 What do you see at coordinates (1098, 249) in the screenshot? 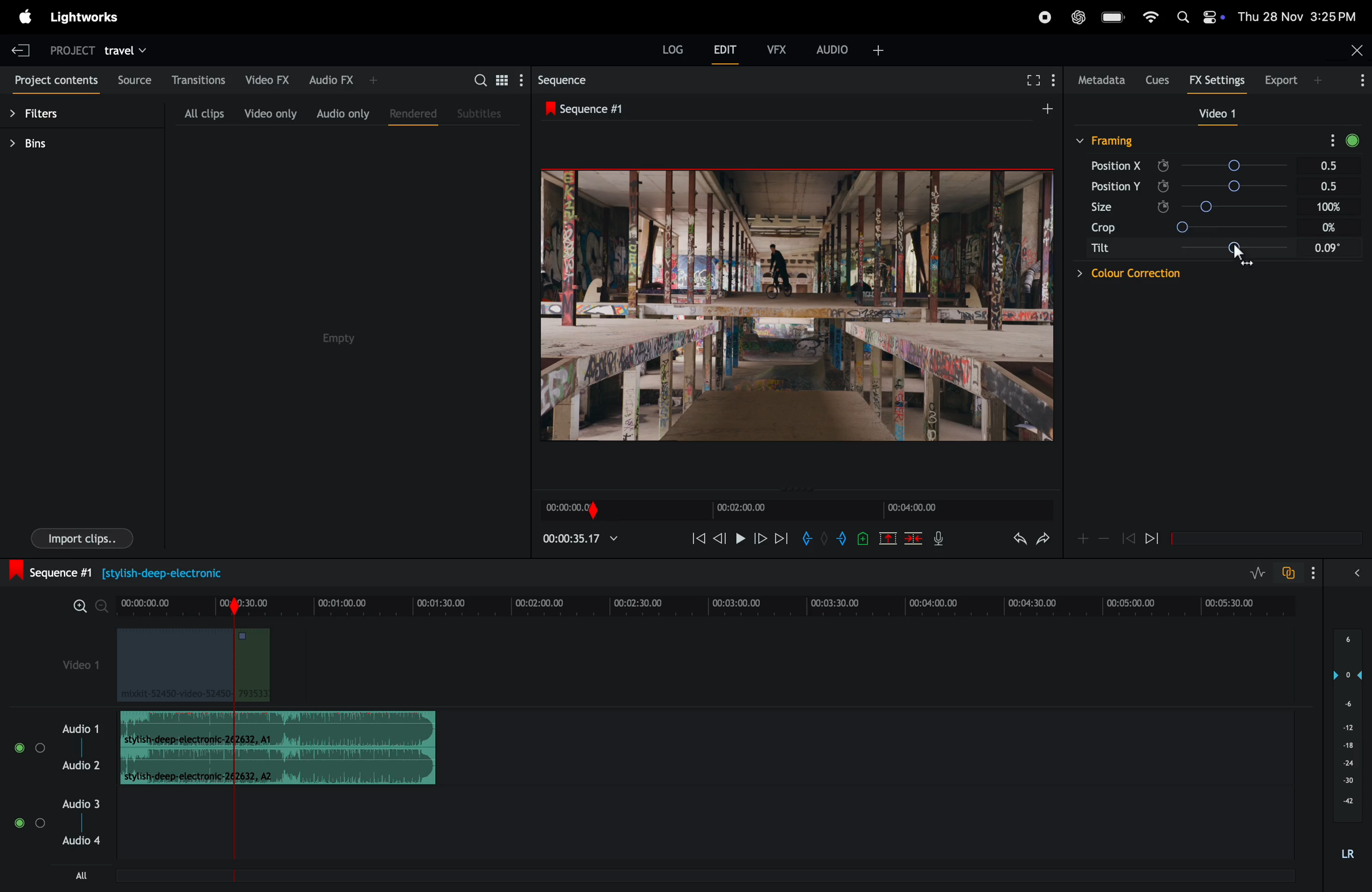
I see `tilt` at bounding box center [1098, 249].